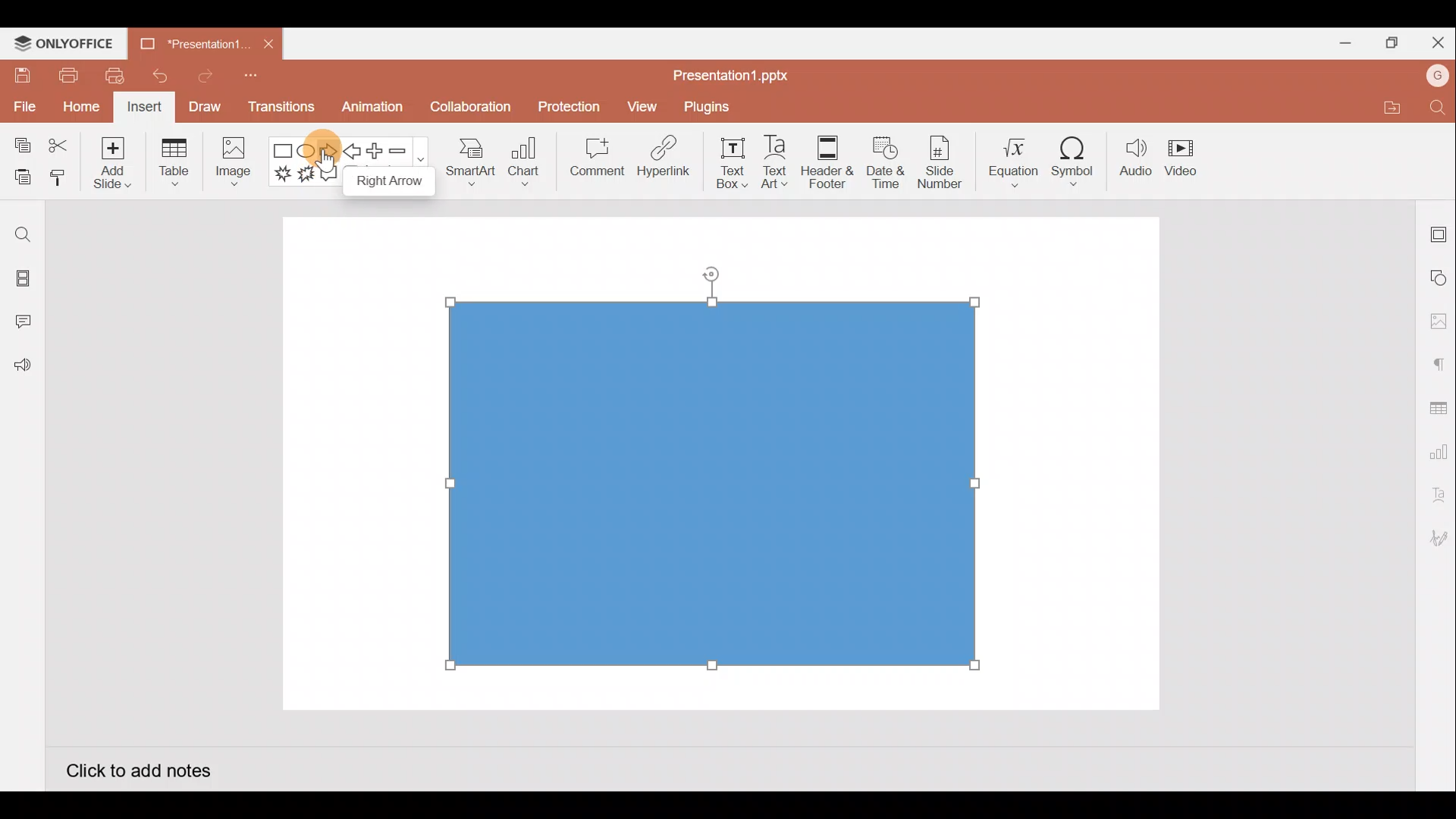 The height and width of the screenshot is (819, 1456). I want to click on Paste, so click(19, 178).